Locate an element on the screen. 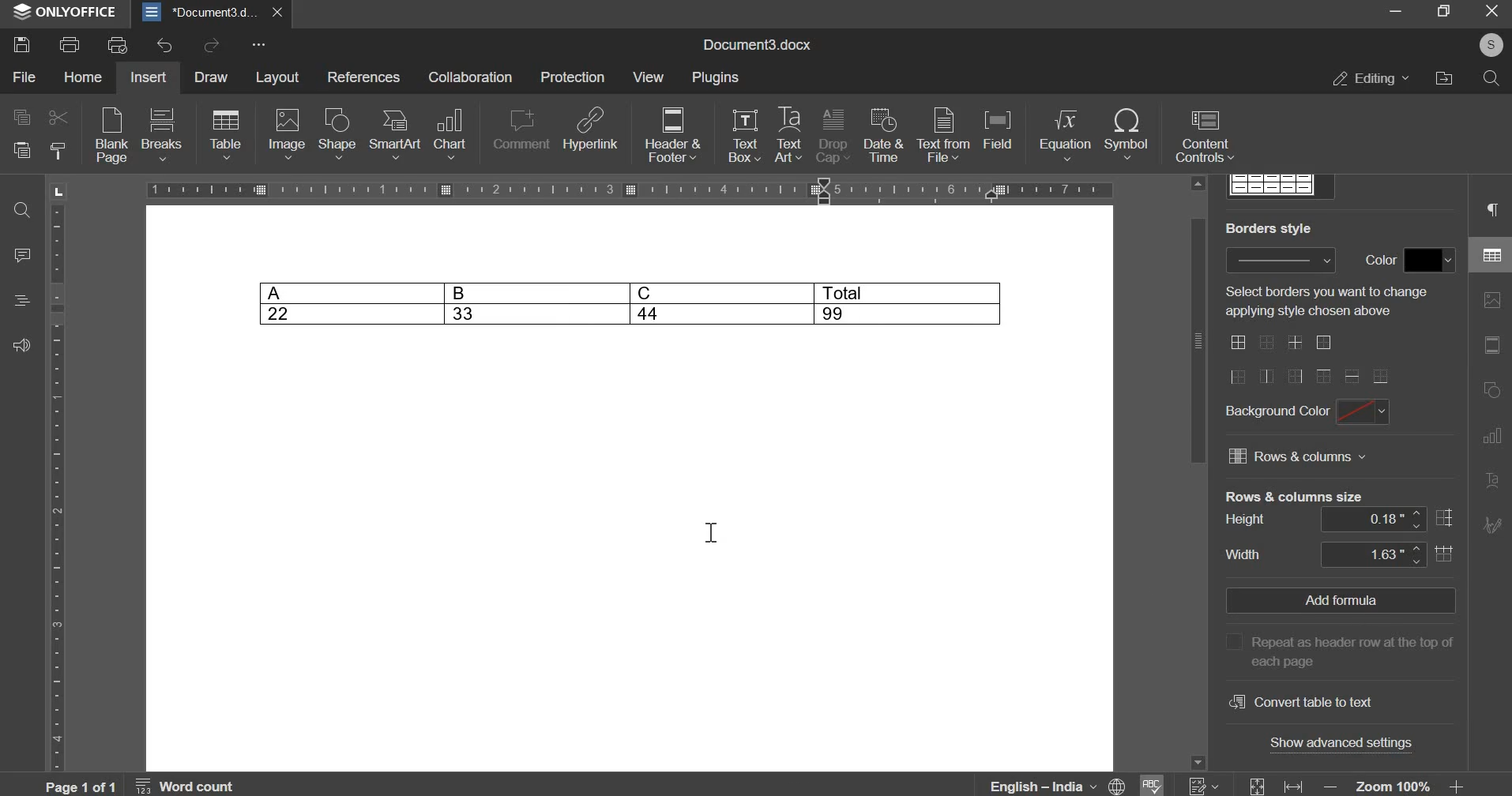  Ruler is located at coordinates (56, 488).